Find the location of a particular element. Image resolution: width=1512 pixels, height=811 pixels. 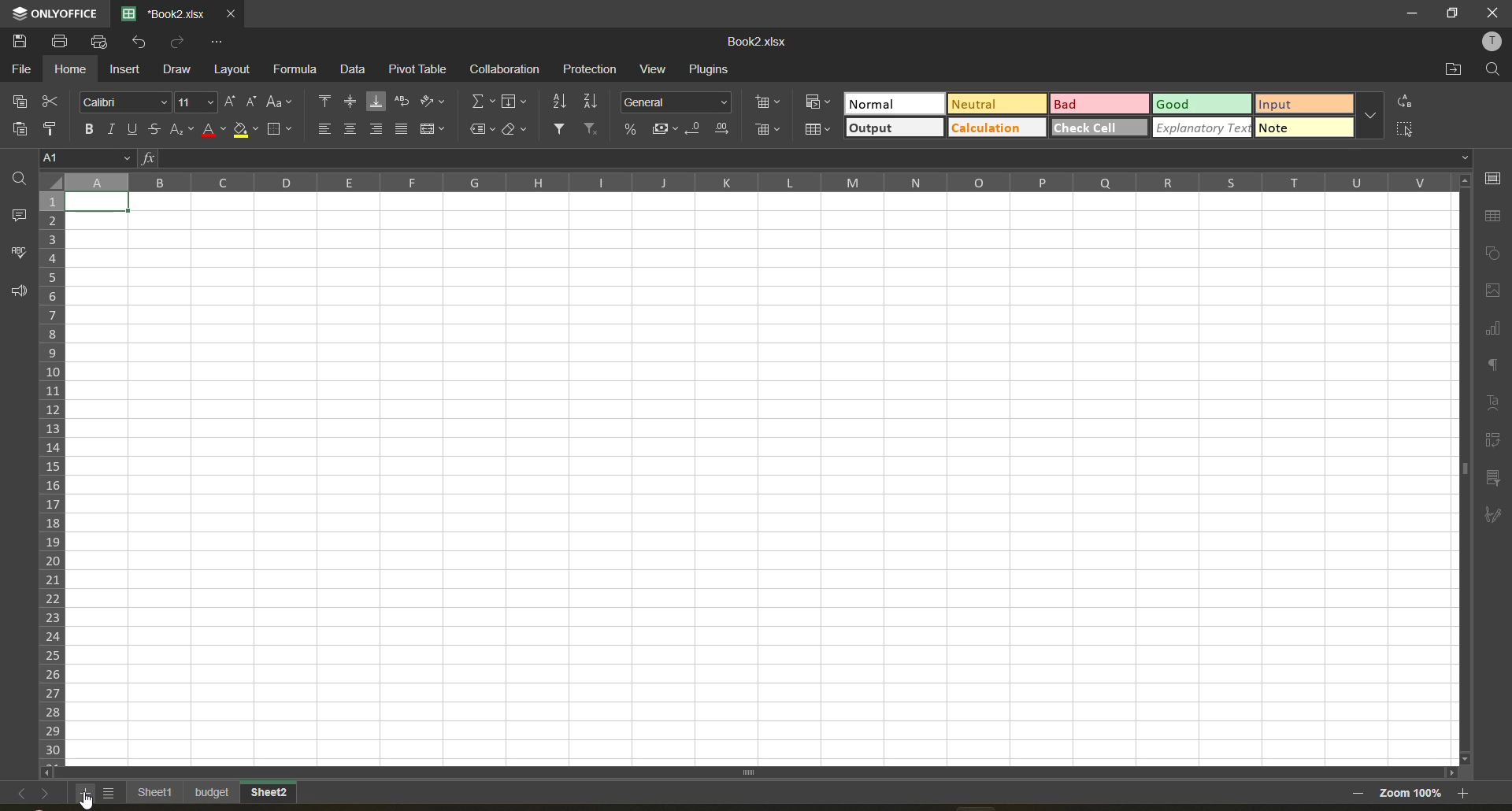

input is located at coordinates (1303, 105).